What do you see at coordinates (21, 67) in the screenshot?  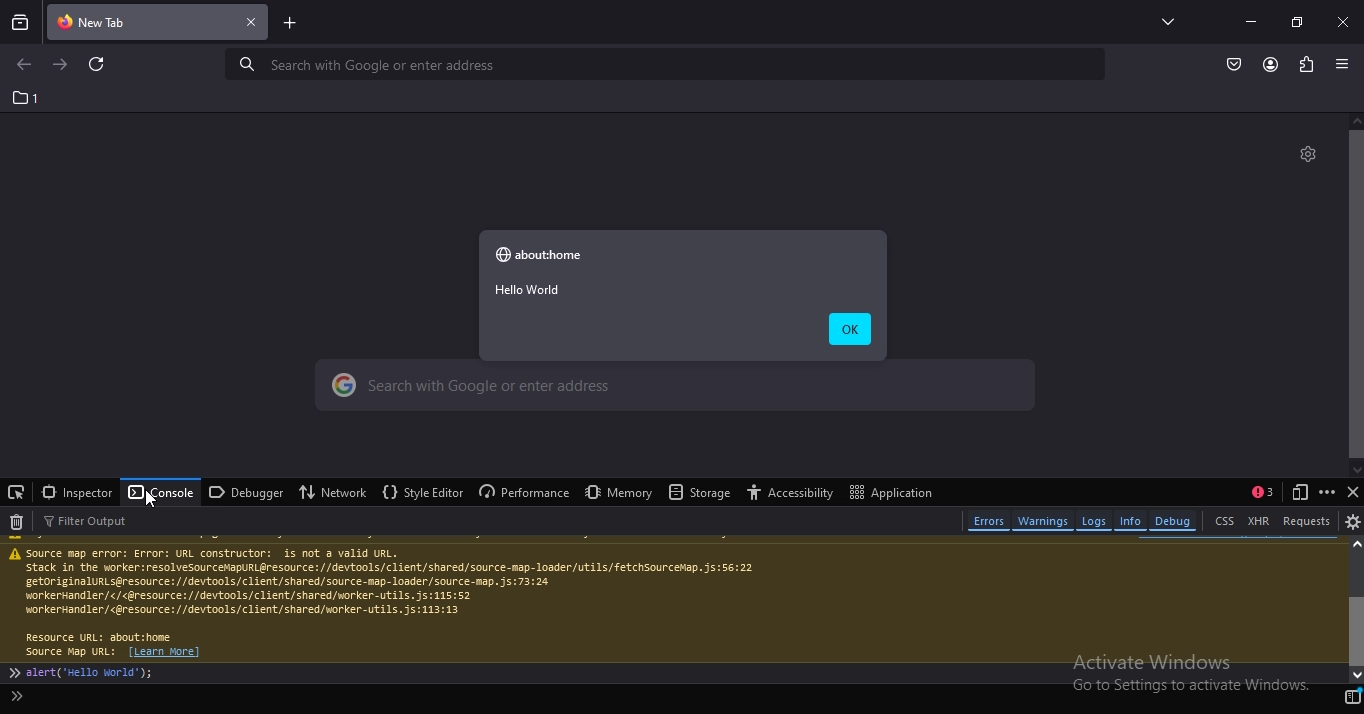 I see `go to previous page` at bounding box center [21, 67].